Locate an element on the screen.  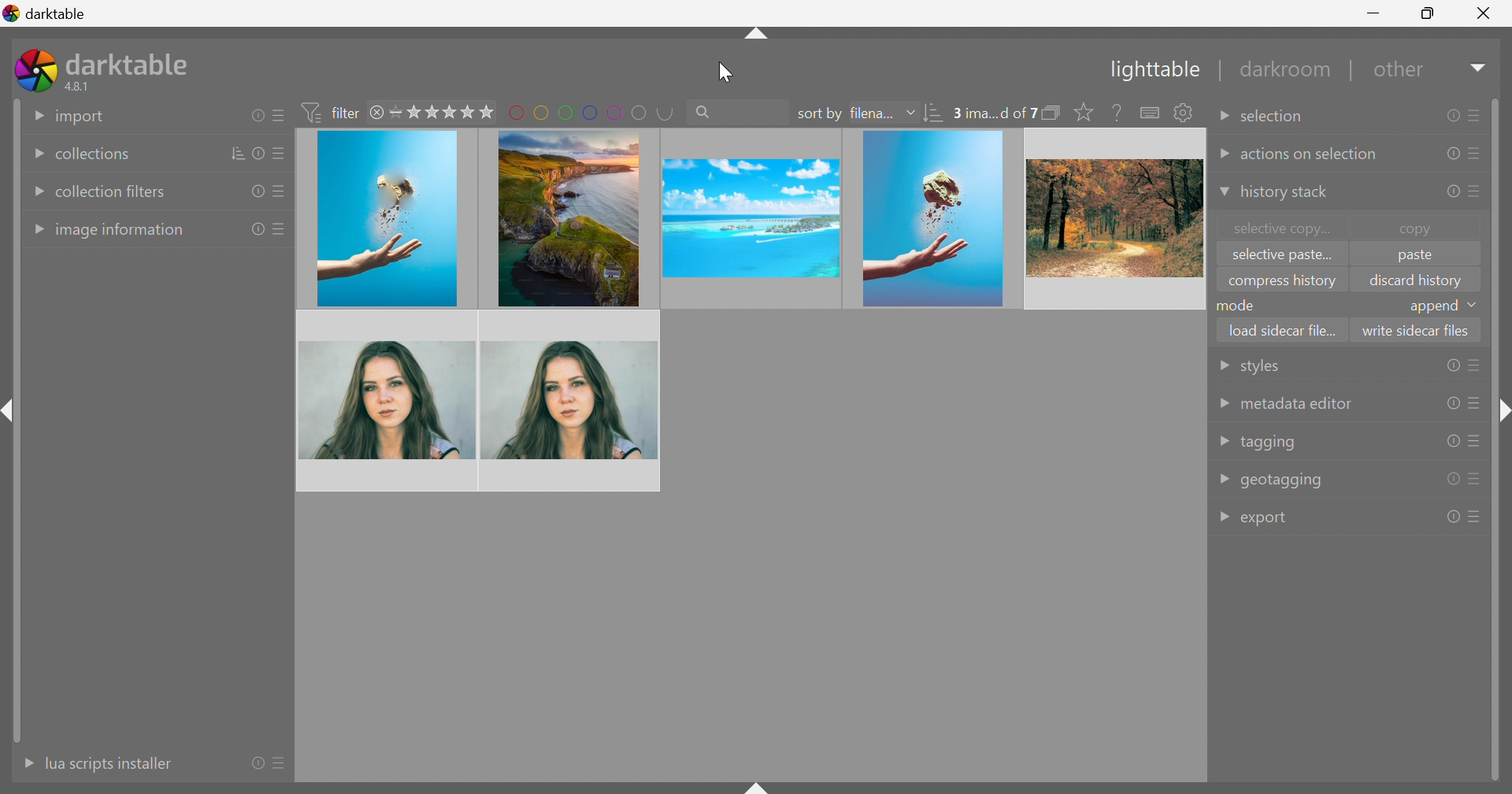
darktable is located at coordinates (46, 11).